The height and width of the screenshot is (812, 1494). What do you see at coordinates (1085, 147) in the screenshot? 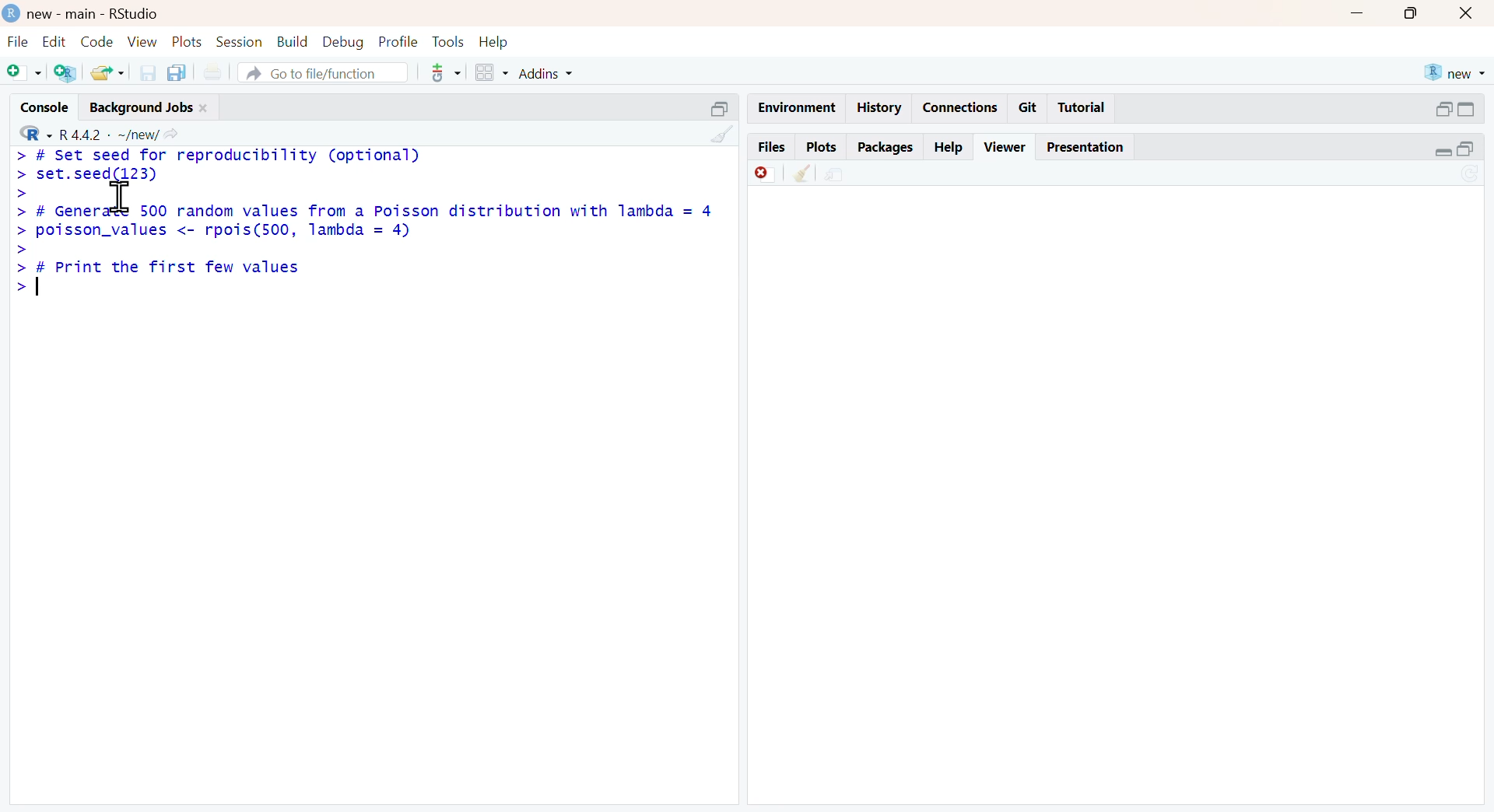
I see `Presentation ` at bounding box center [1085, 147].